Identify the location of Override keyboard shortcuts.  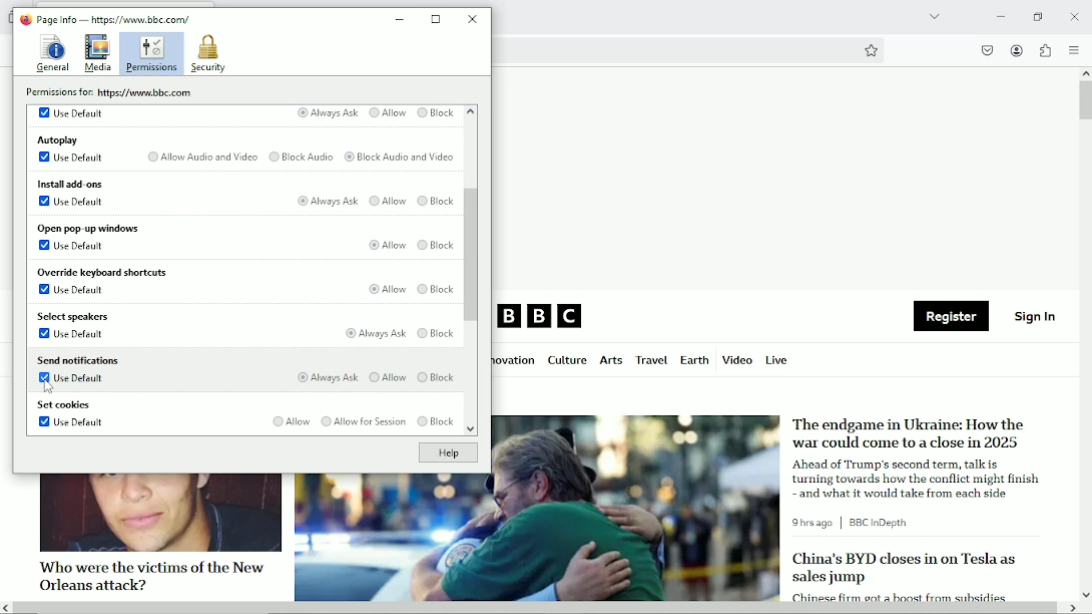
(101, 273).